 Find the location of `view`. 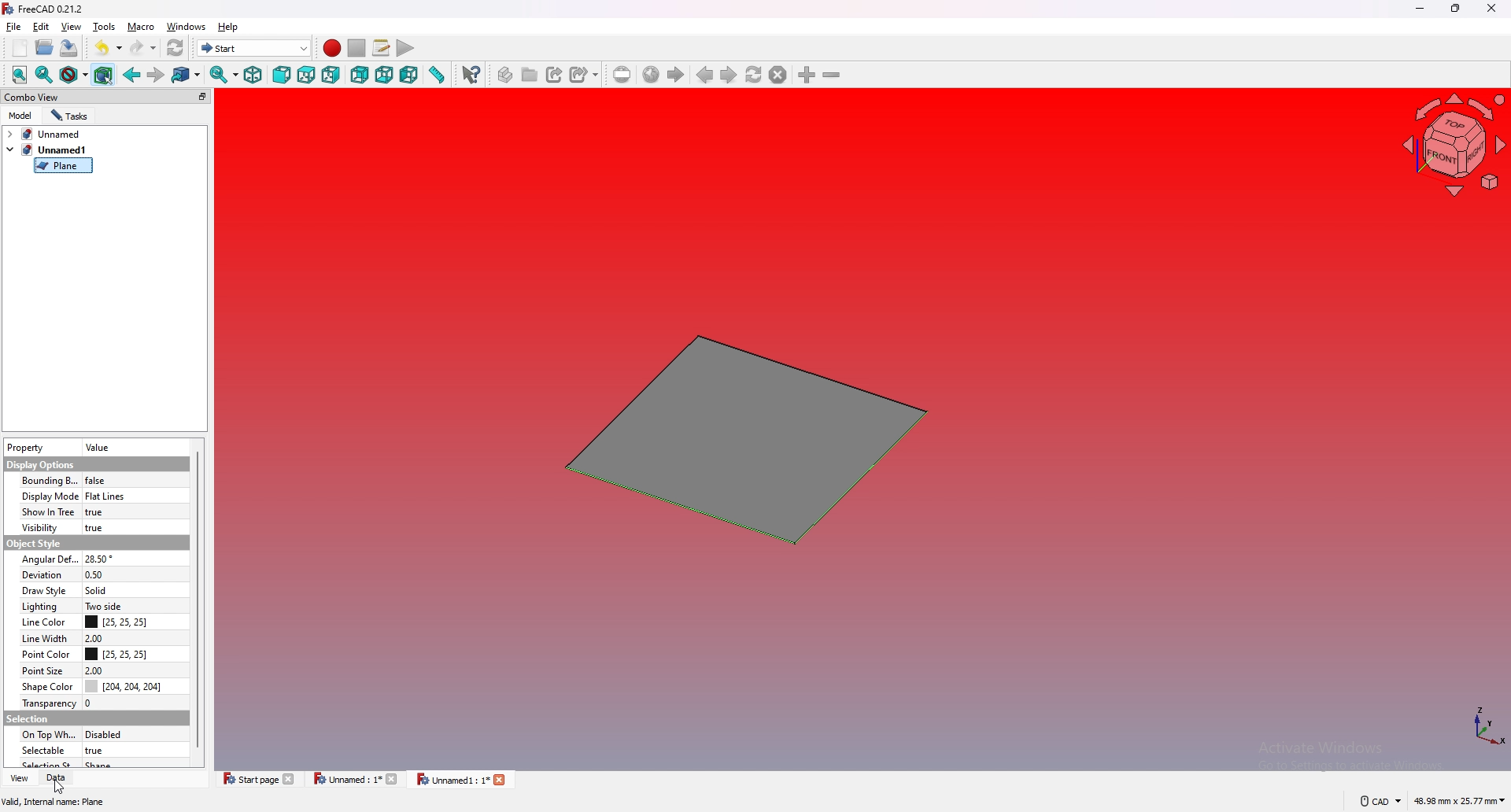

view is located at coordinates (72, 26).